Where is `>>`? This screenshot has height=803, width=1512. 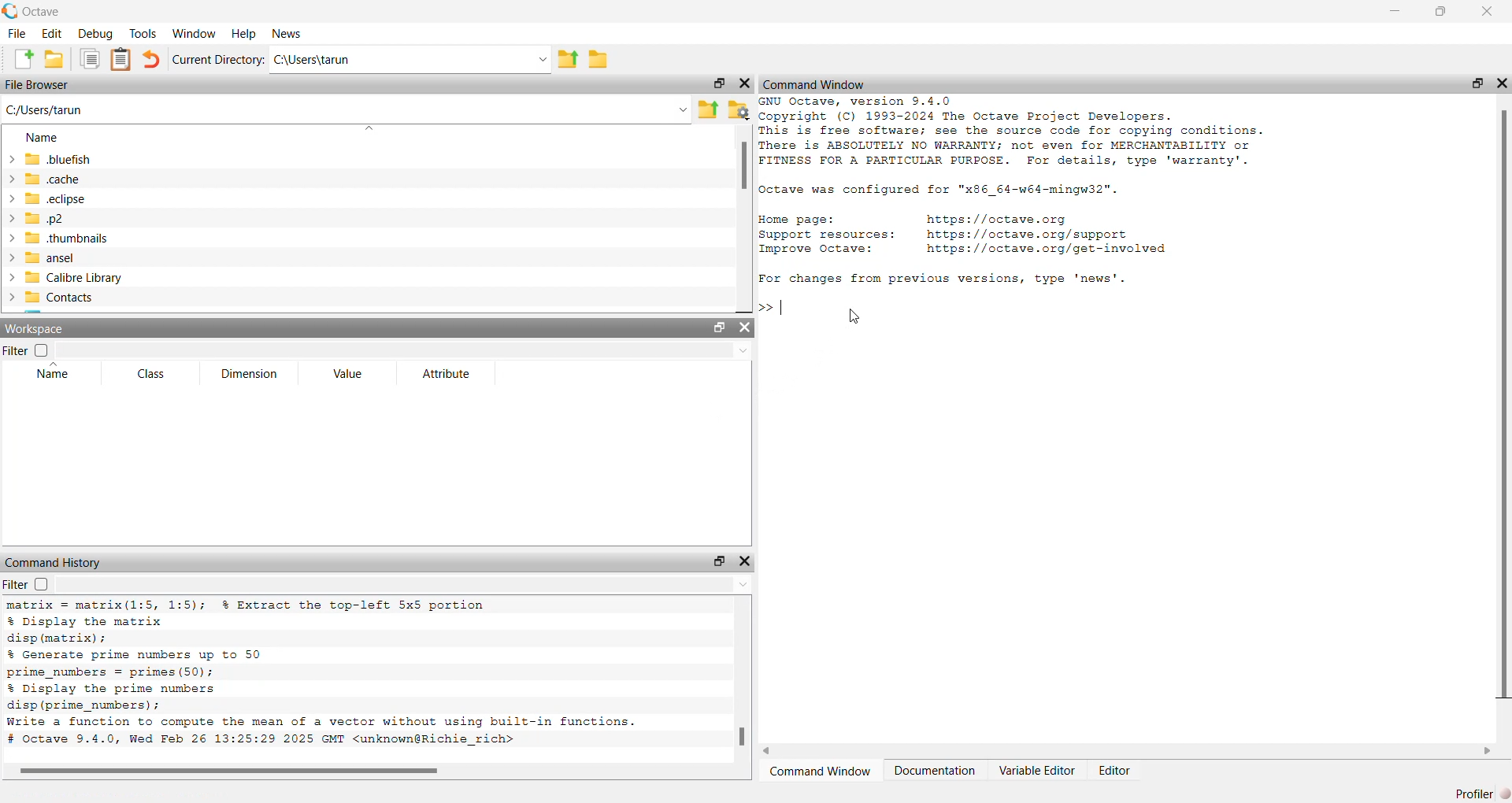
>> is located at coordinates (765, 308).